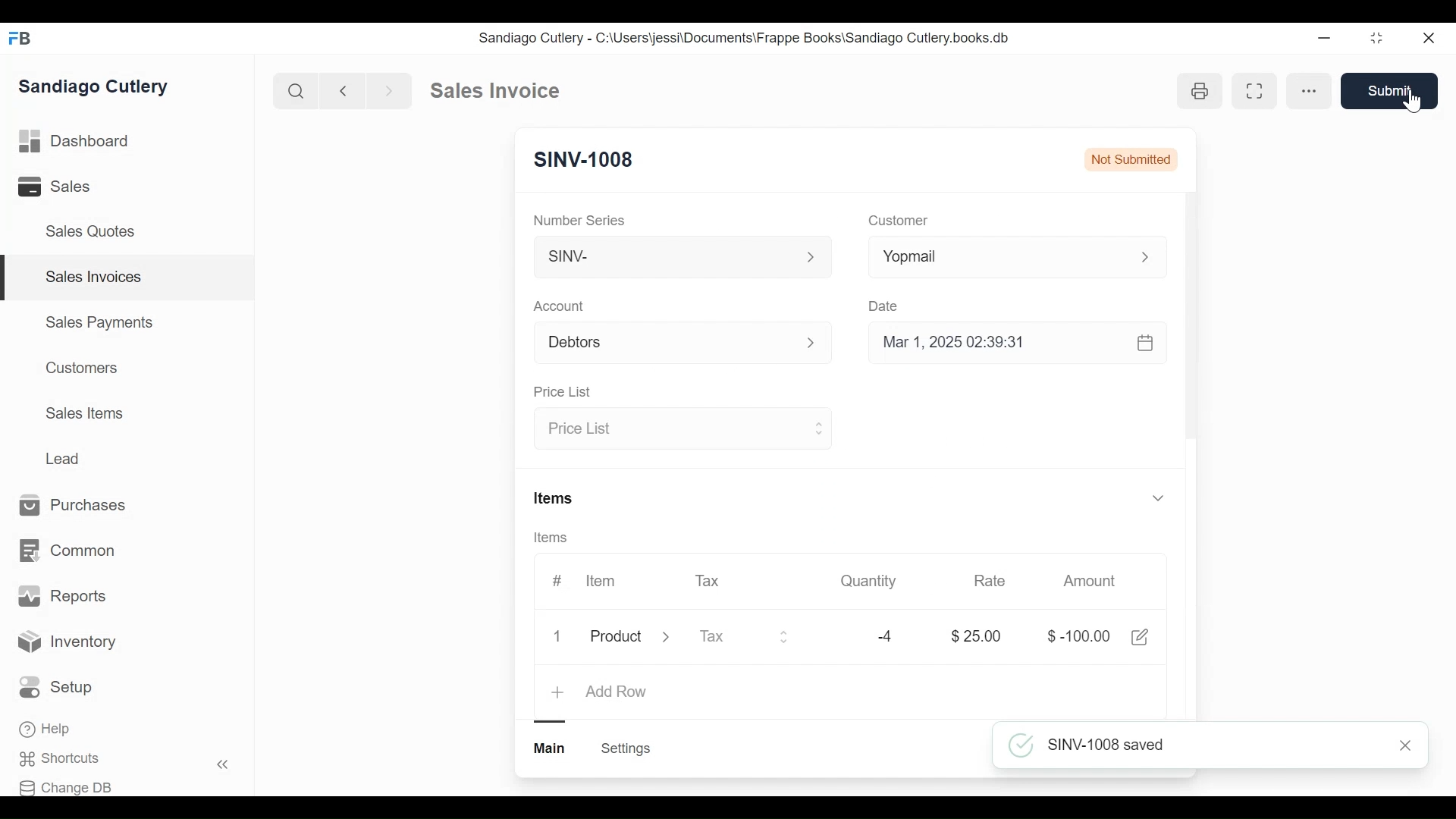 This screenshot has height=819, width=1456. I want to click on Amount, so click(1090, 582).